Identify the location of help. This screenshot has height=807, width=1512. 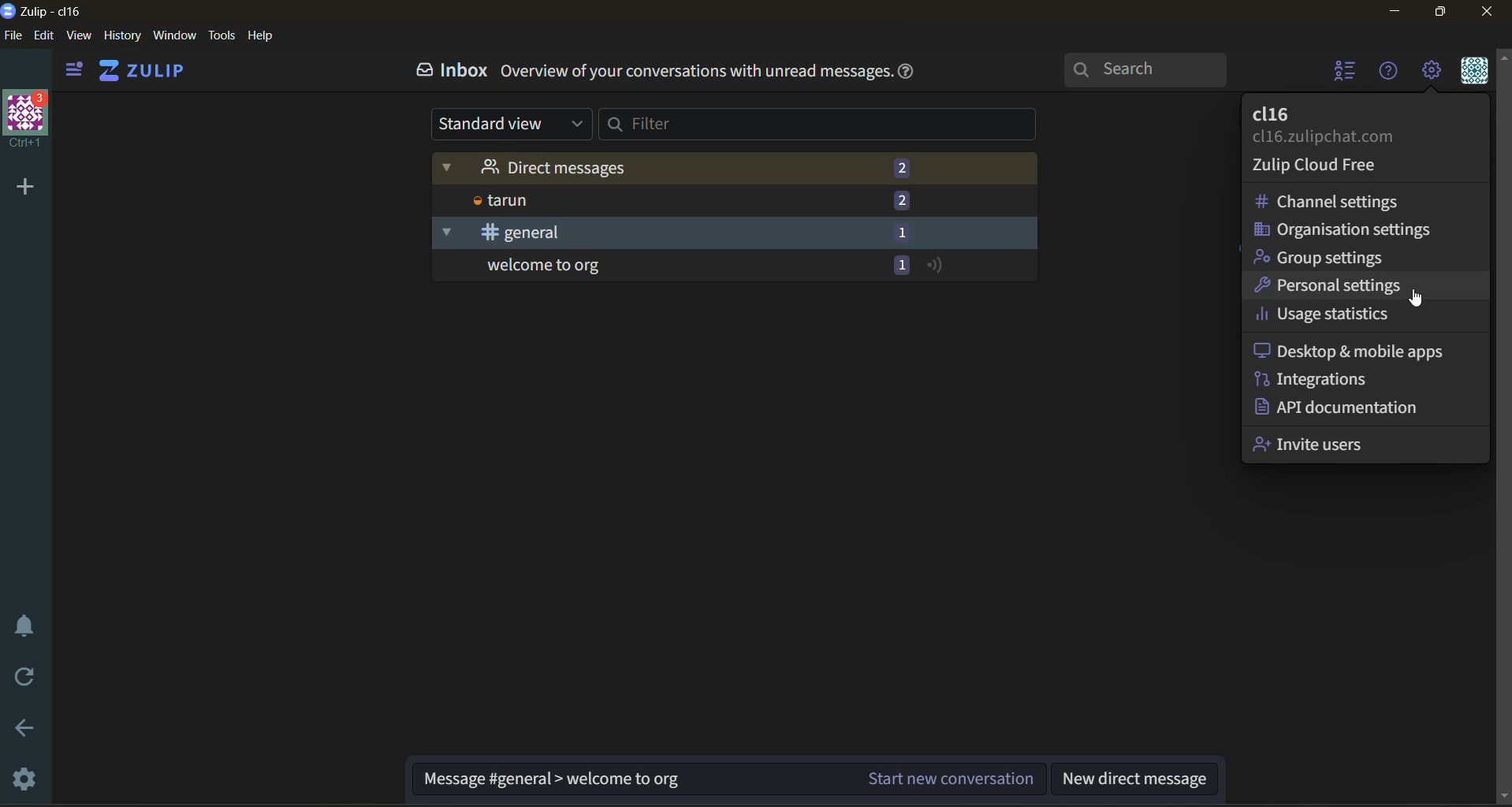
(263, 35).